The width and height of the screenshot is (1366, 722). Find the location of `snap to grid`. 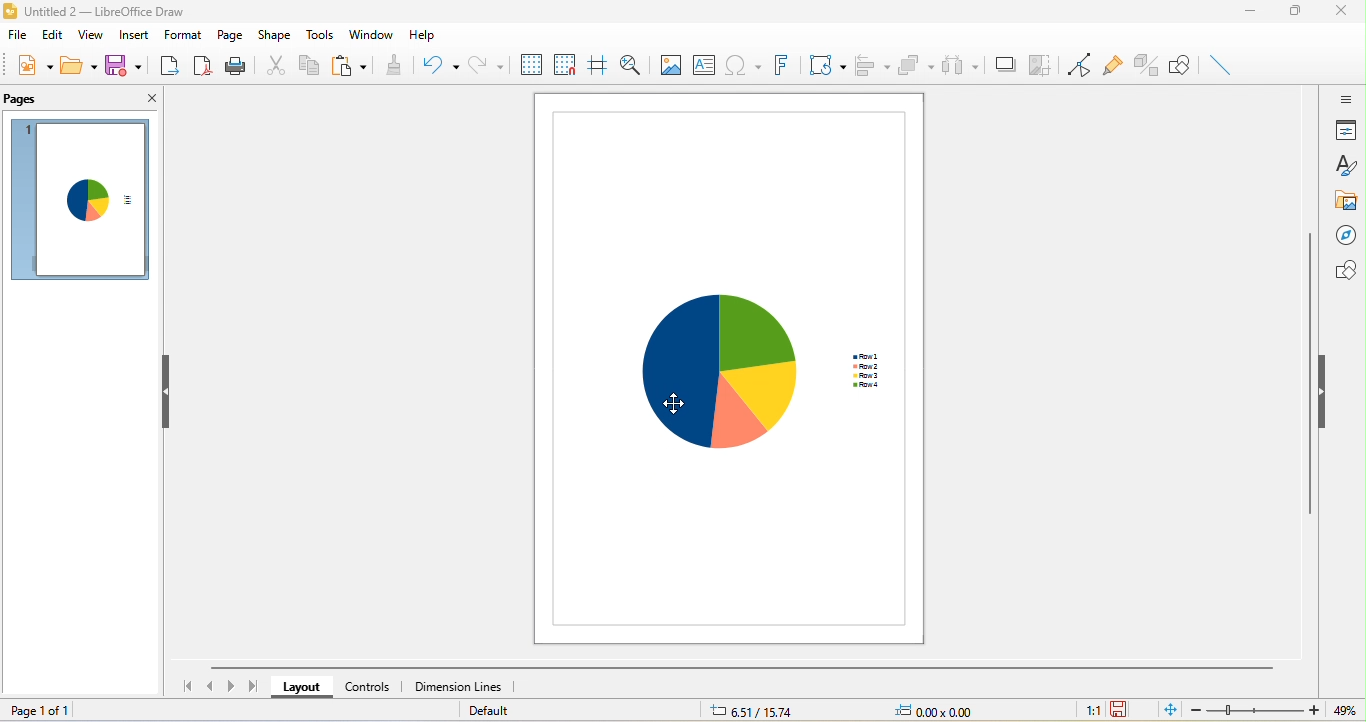

snap to grid is located at coordinates (567, 63).